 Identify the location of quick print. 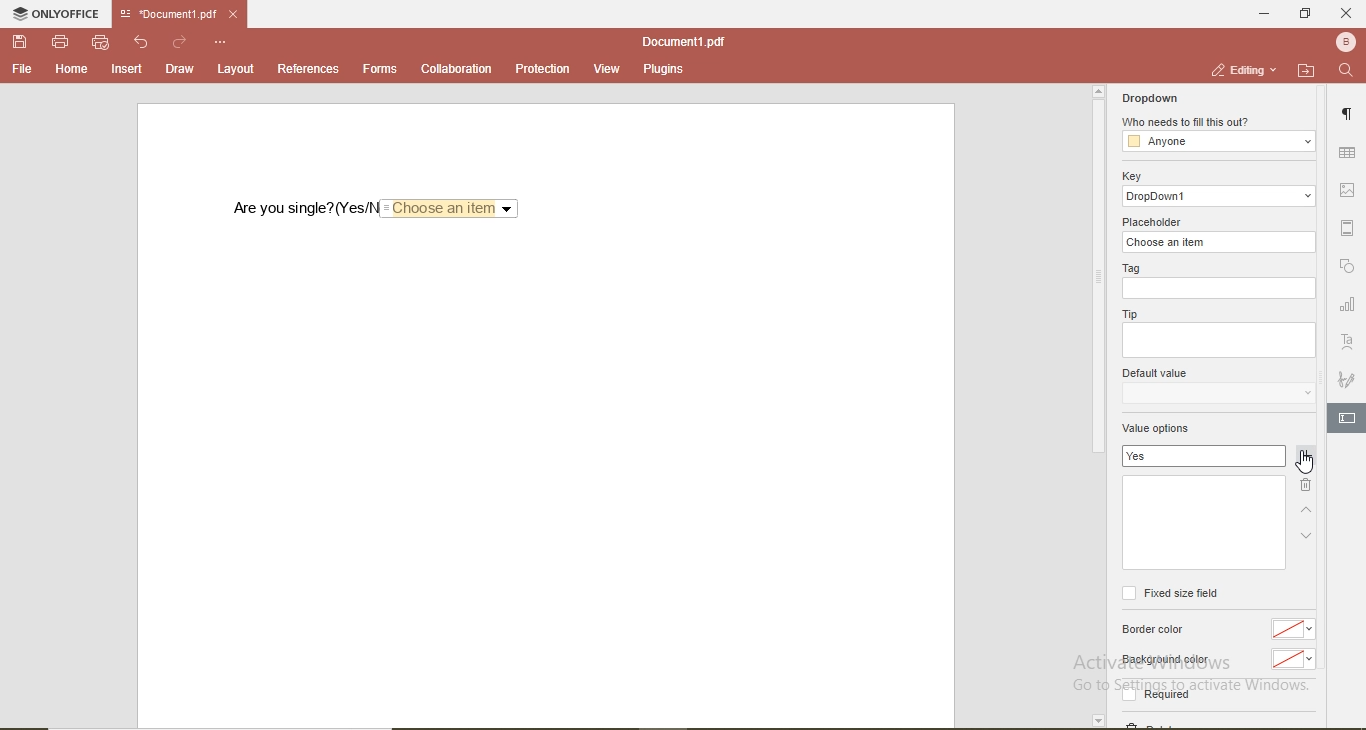
(101, 43).